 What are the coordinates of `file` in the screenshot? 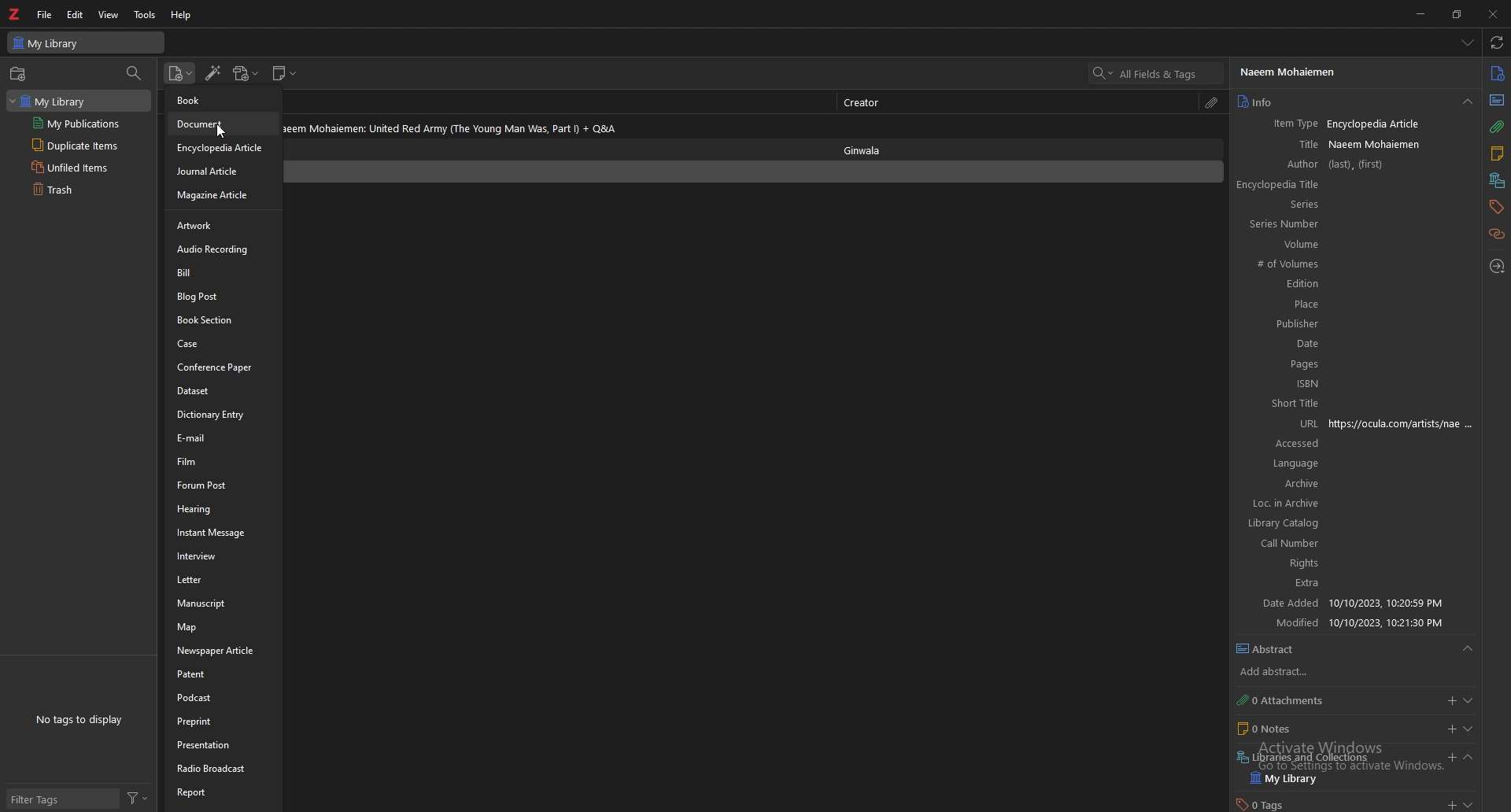 It's located at (46, 14).